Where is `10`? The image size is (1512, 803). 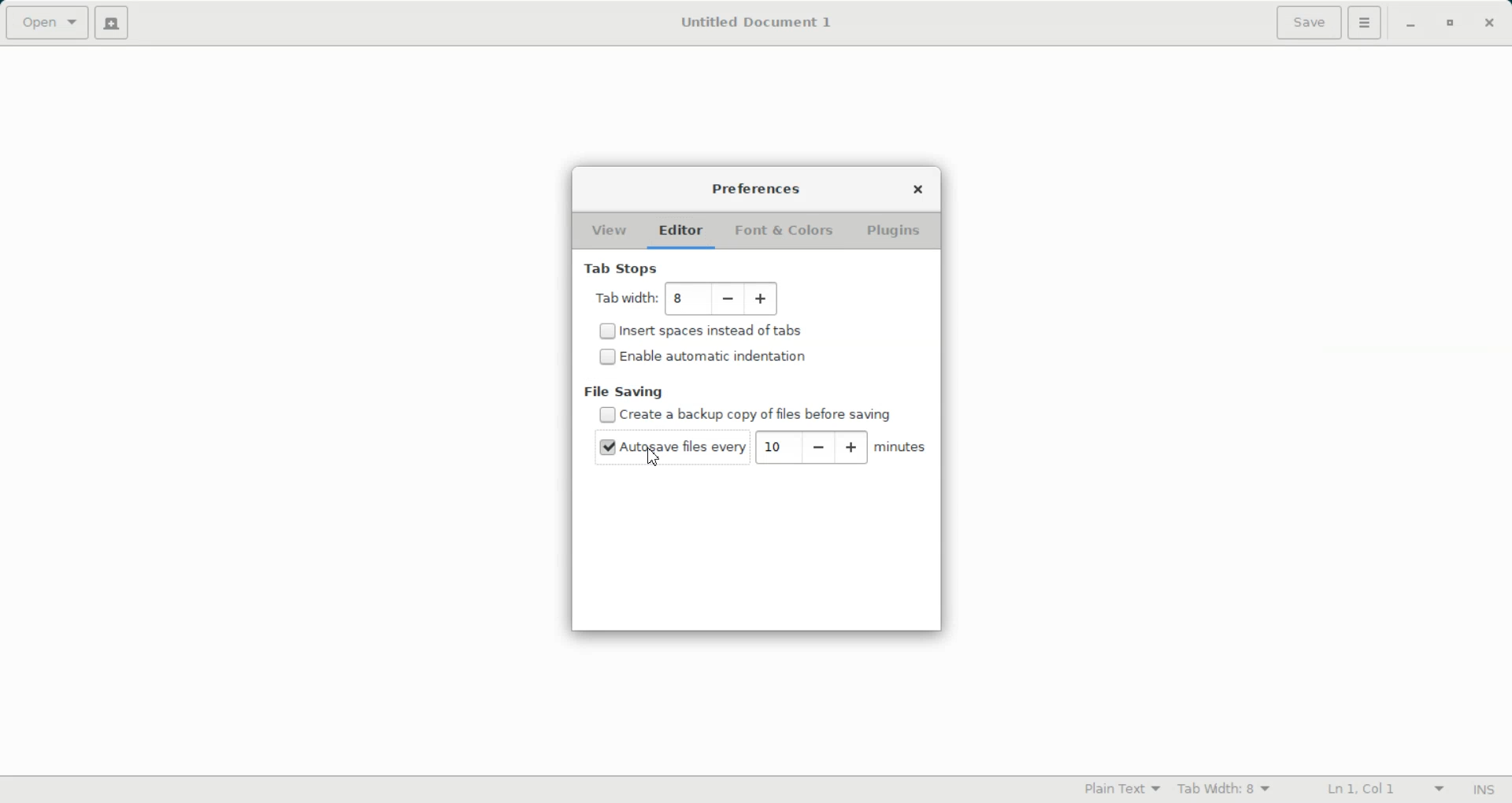 10 is located at coordinates (682, 298).